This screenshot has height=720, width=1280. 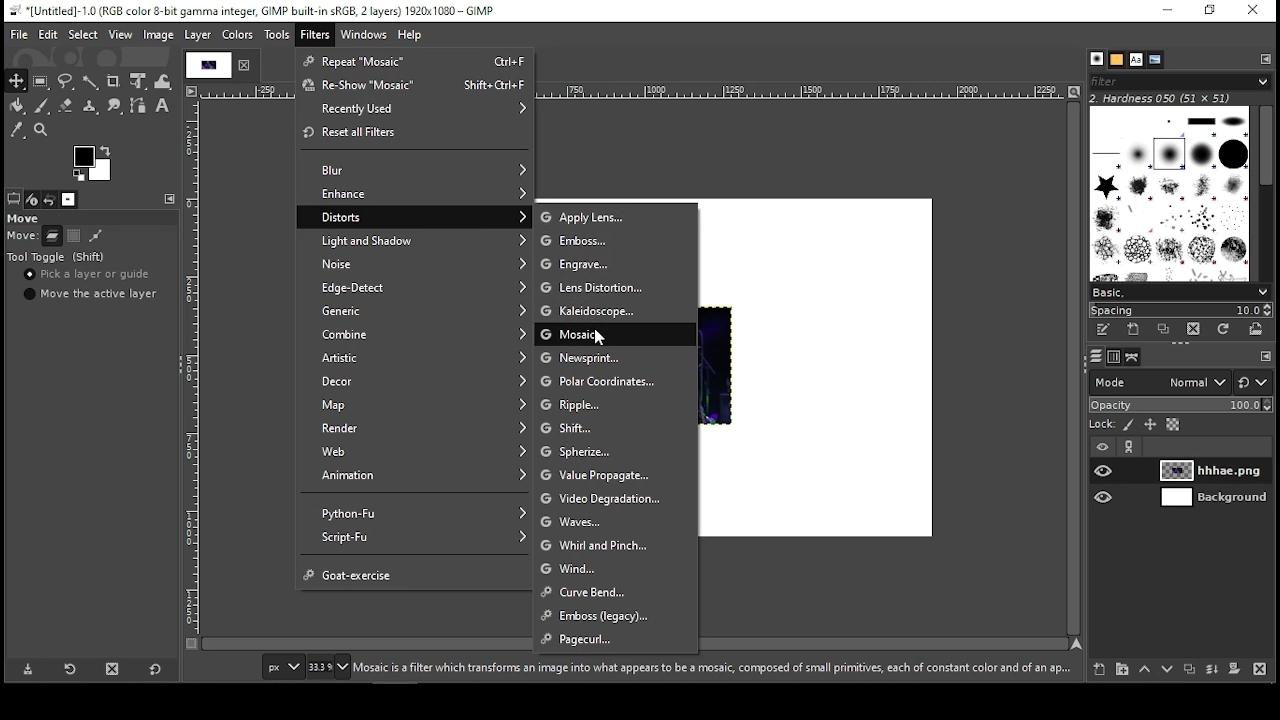 What do you see at coordinates (116, 108) in the screenshot?
I see `smudge tool` at bounding box center [116, 108].